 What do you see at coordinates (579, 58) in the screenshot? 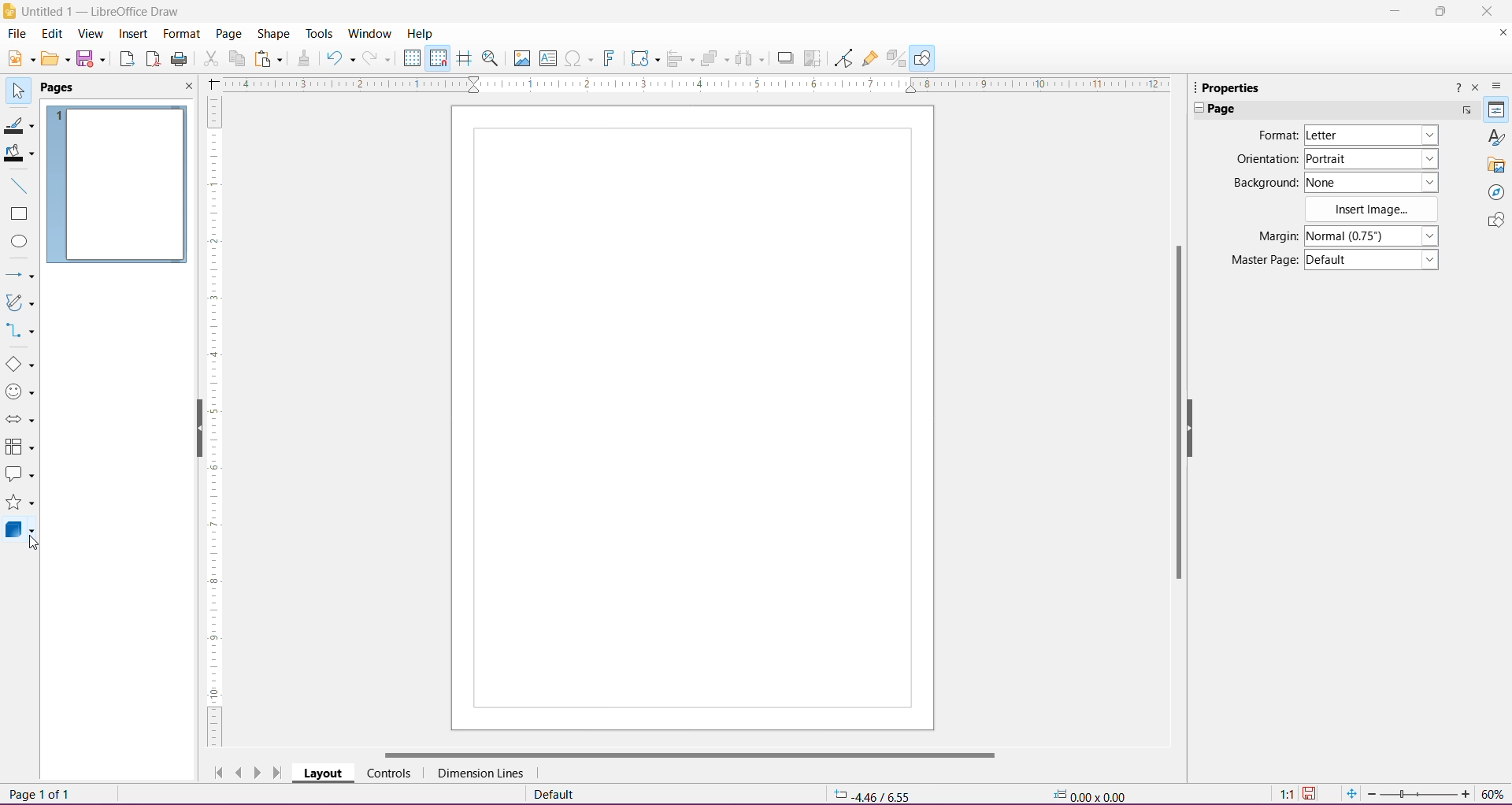
I see `Insert Special Characters` at bounding box center [579, 58].